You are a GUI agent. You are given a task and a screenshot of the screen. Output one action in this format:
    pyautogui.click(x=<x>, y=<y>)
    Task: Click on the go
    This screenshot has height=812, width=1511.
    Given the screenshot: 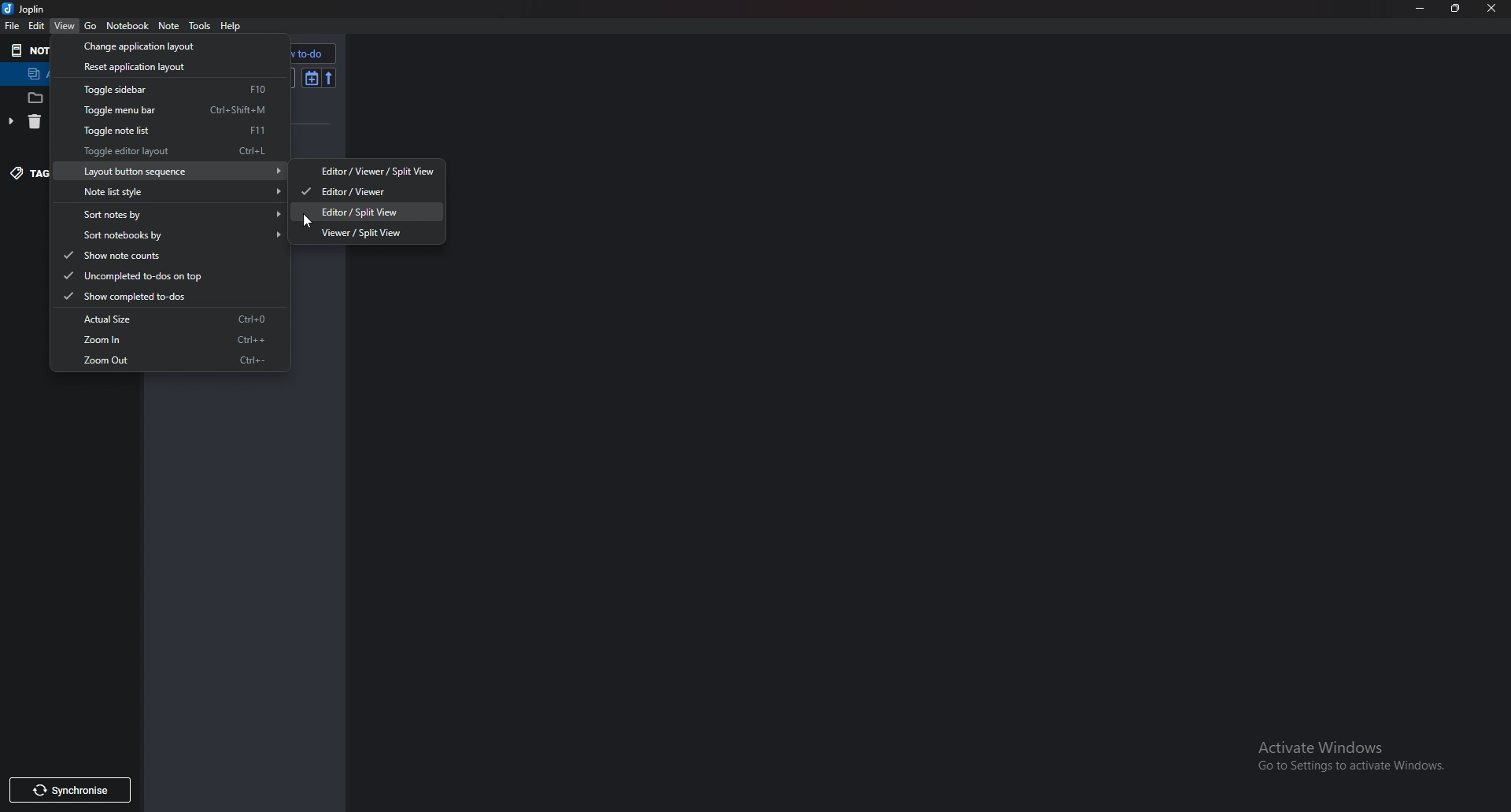 What is the action you would take?
    pyautogui.click(x=92, y=24)
    